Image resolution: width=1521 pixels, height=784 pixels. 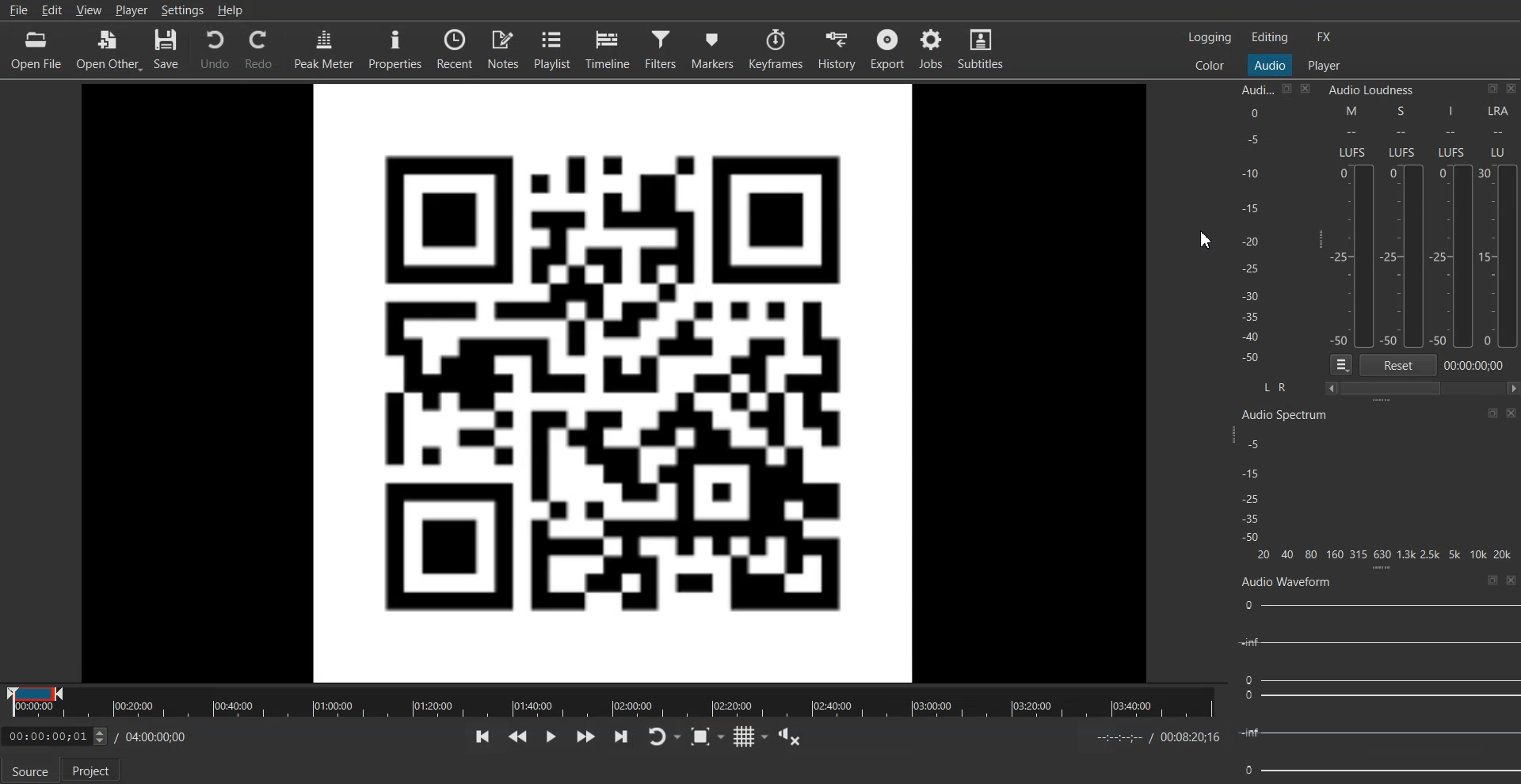 What do you see at coordinates (1209, 64) in the screenshot?
I see `Switch to the color layout` at bounding box center [1209, 64].